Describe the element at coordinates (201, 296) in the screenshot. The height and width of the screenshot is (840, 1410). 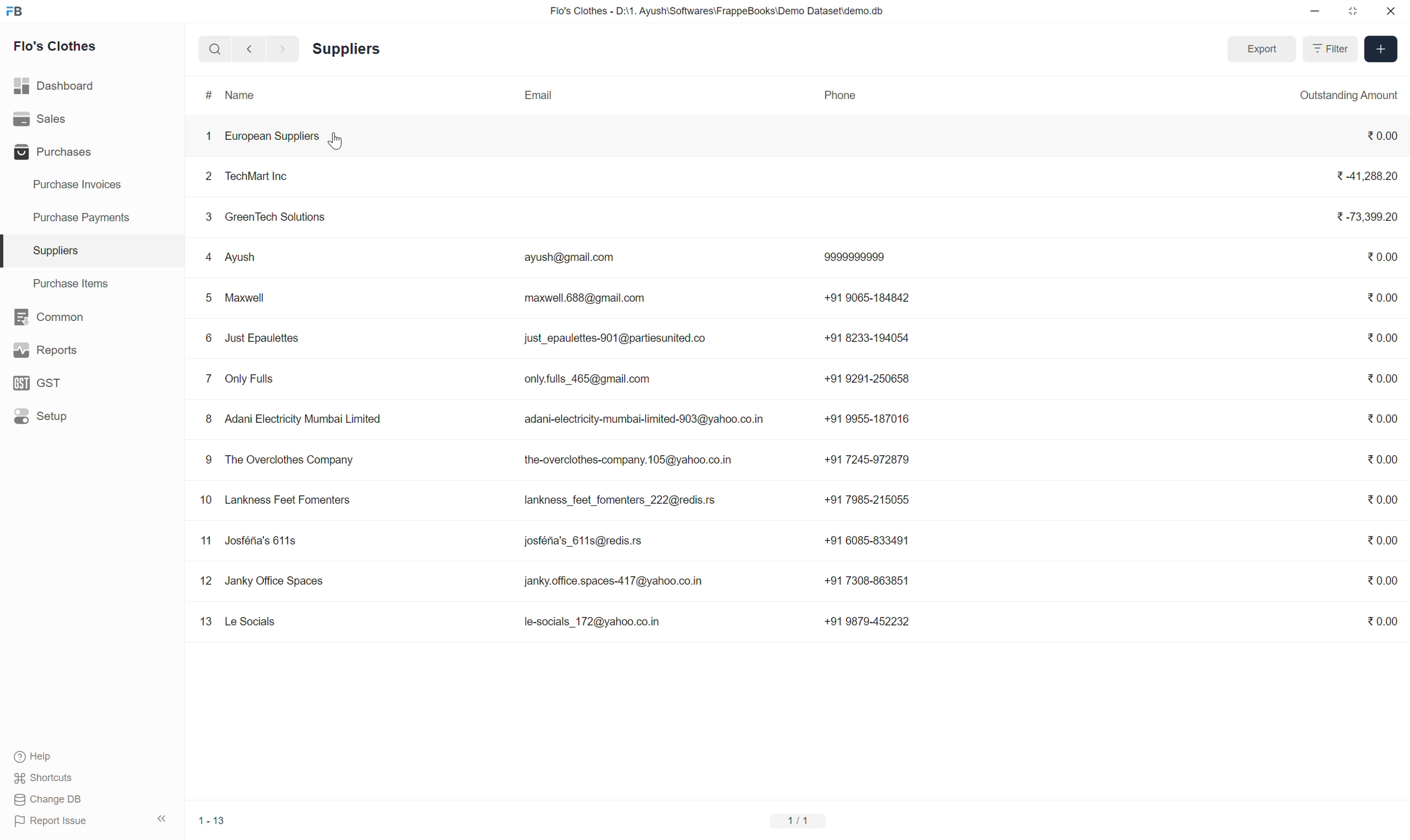
I see `5` at that location.